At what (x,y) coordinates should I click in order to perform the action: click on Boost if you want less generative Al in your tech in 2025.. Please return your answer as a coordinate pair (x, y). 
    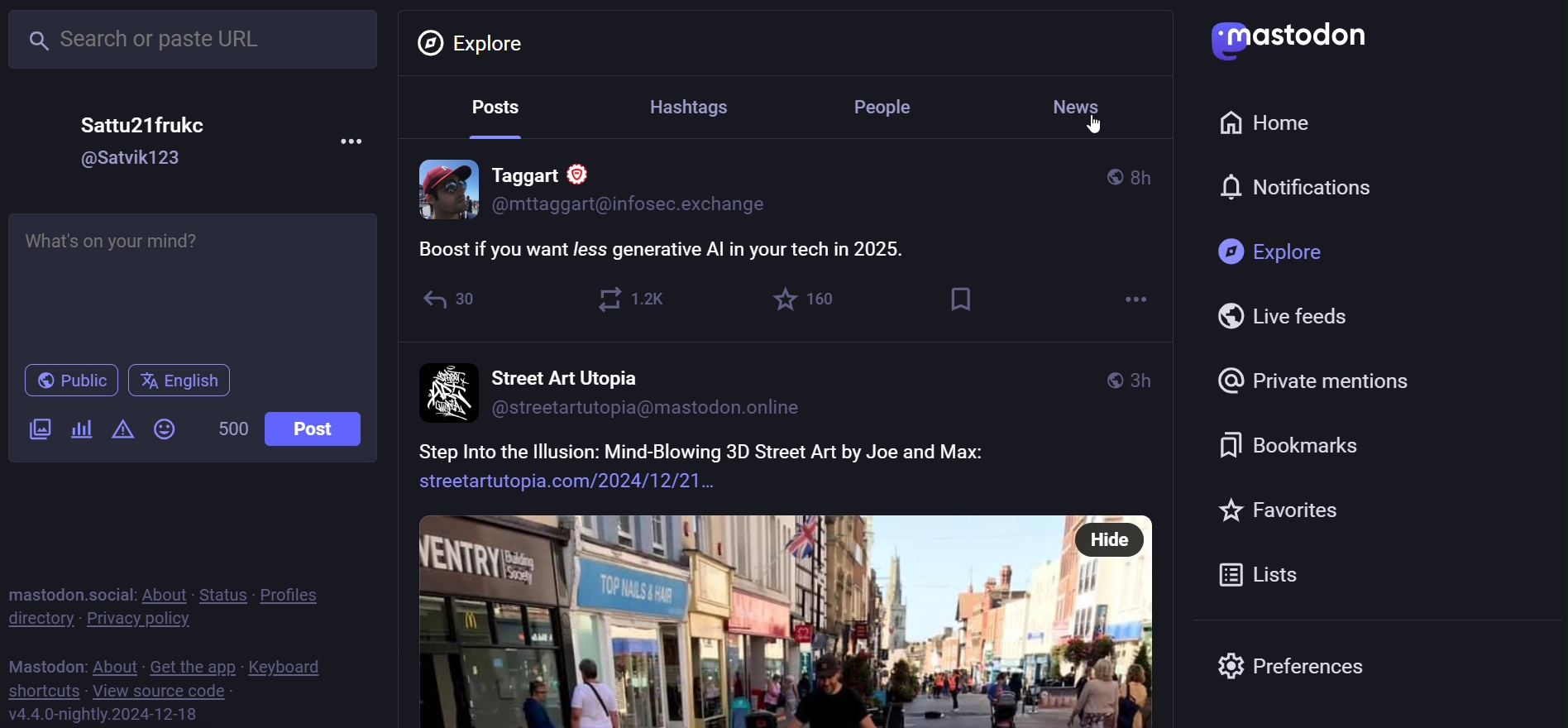
    Looking at the image, I should click on (674, 248).